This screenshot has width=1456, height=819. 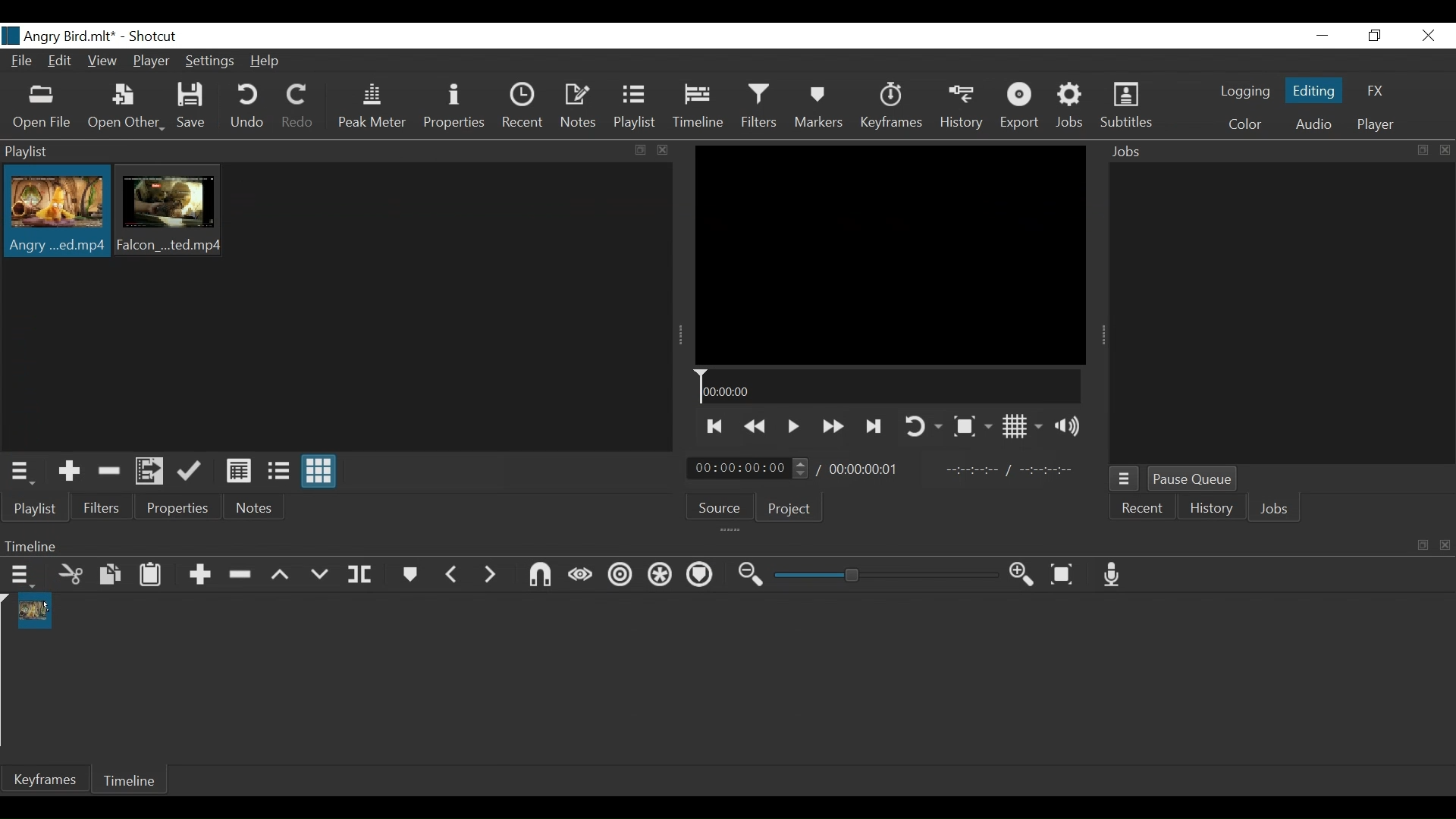 What do you see at coordinates (102, 61) in the screenshot?
I see `View` at bounding box center [102, 61].